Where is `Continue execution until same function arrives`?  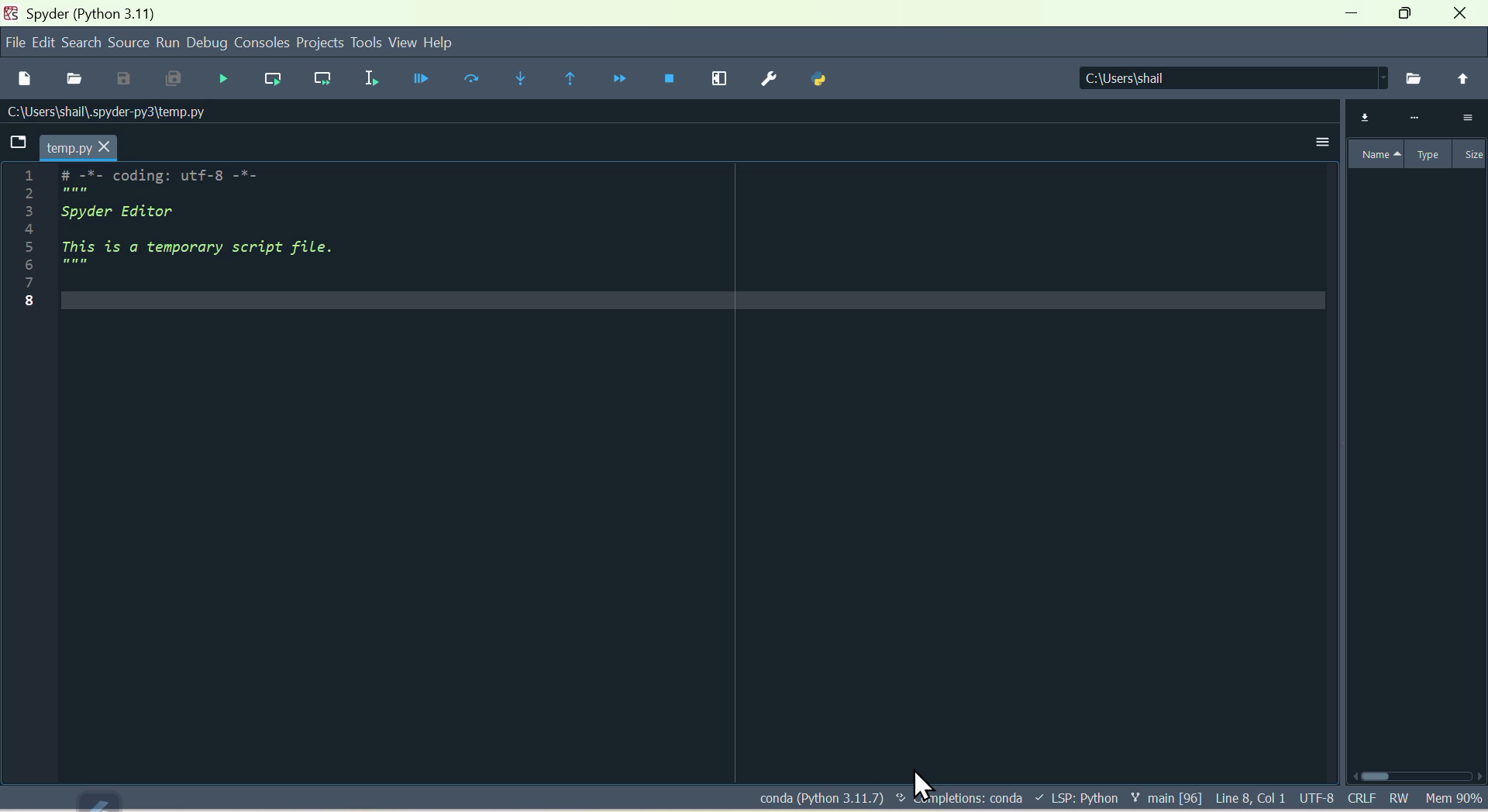
Continue execution until same function arrives is located at coordinates (566, 81).